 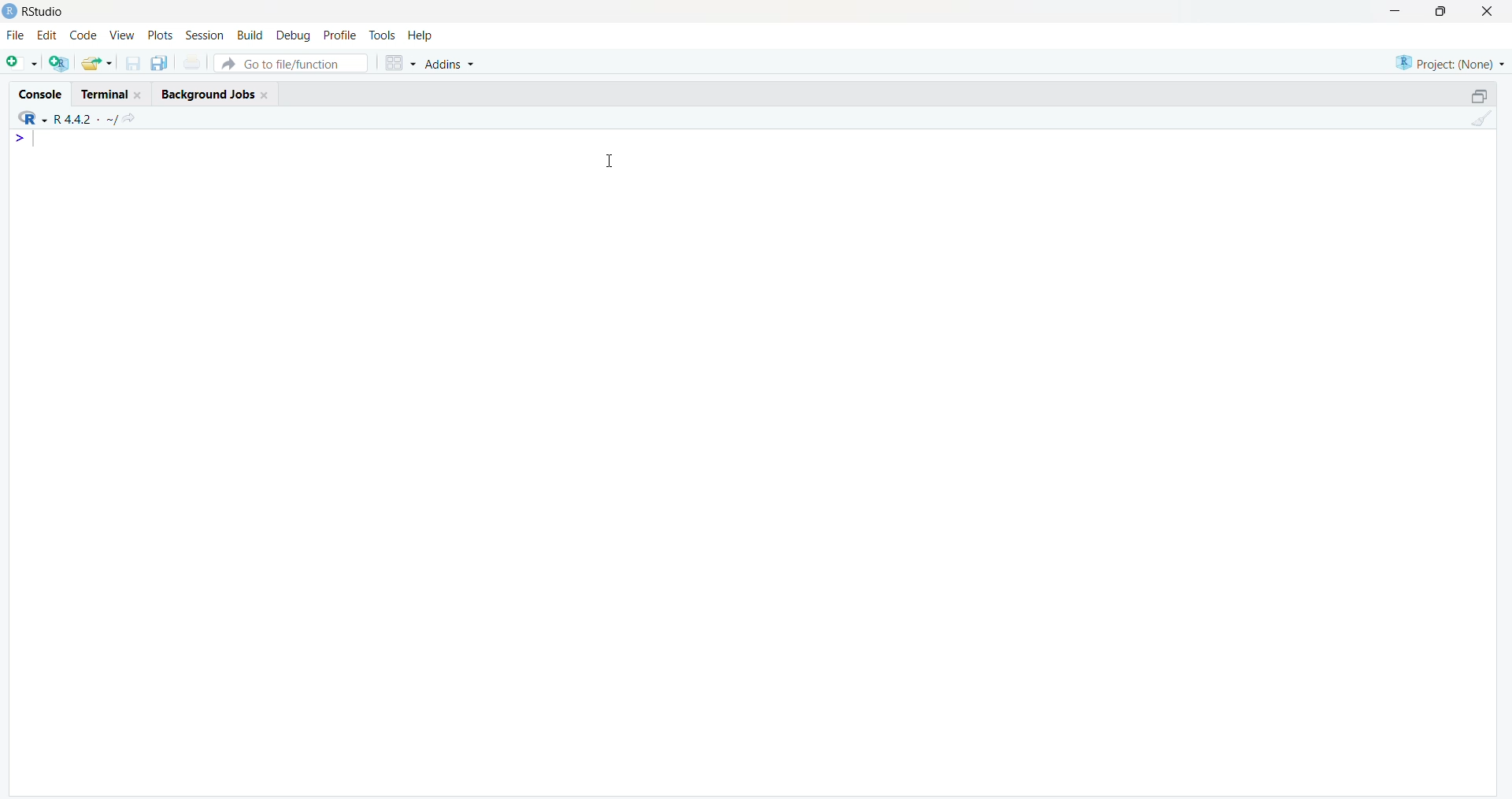 I want to click on R, so click(x=31, y=117).